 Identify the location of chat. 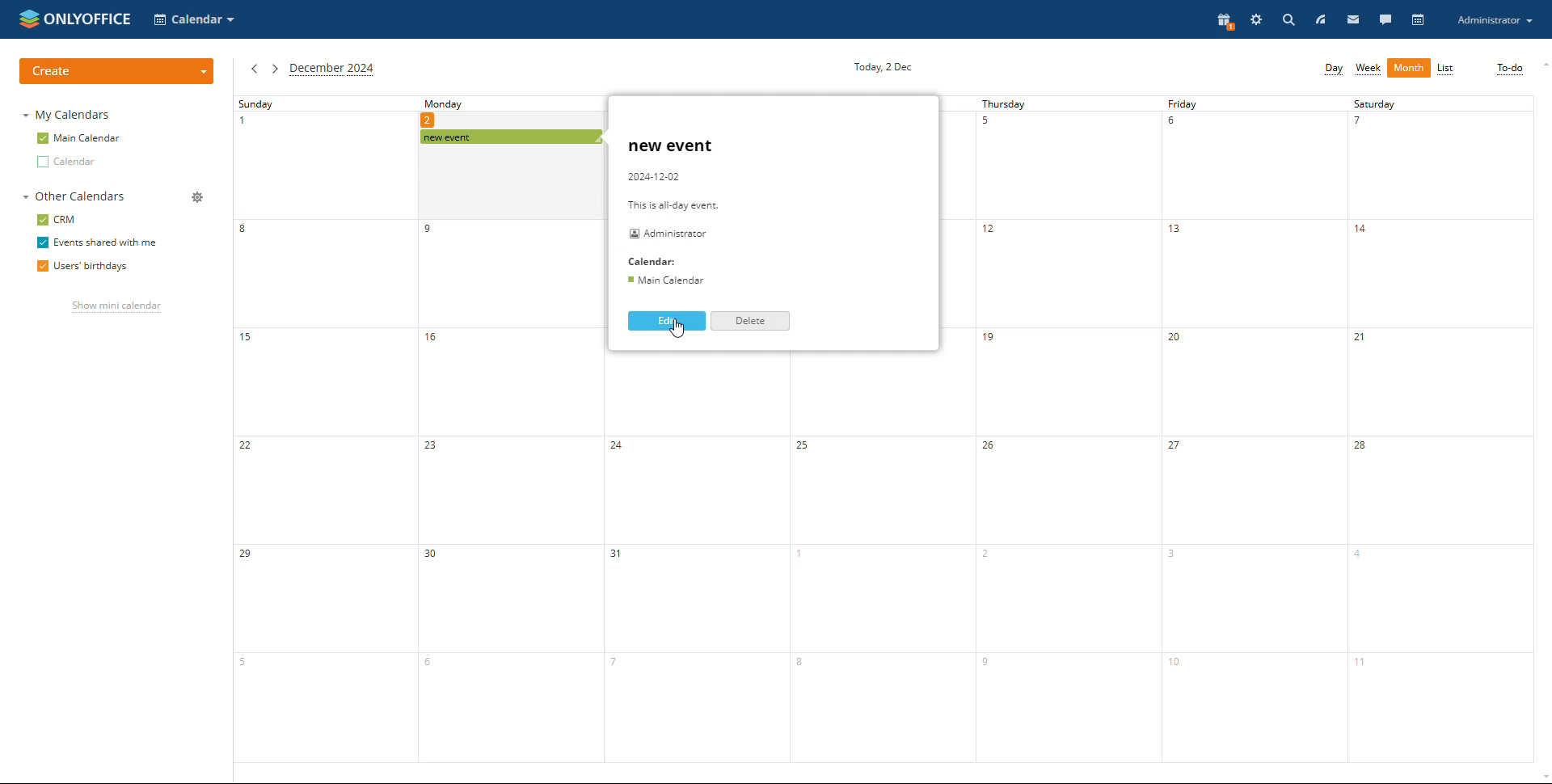
(1385, 19).